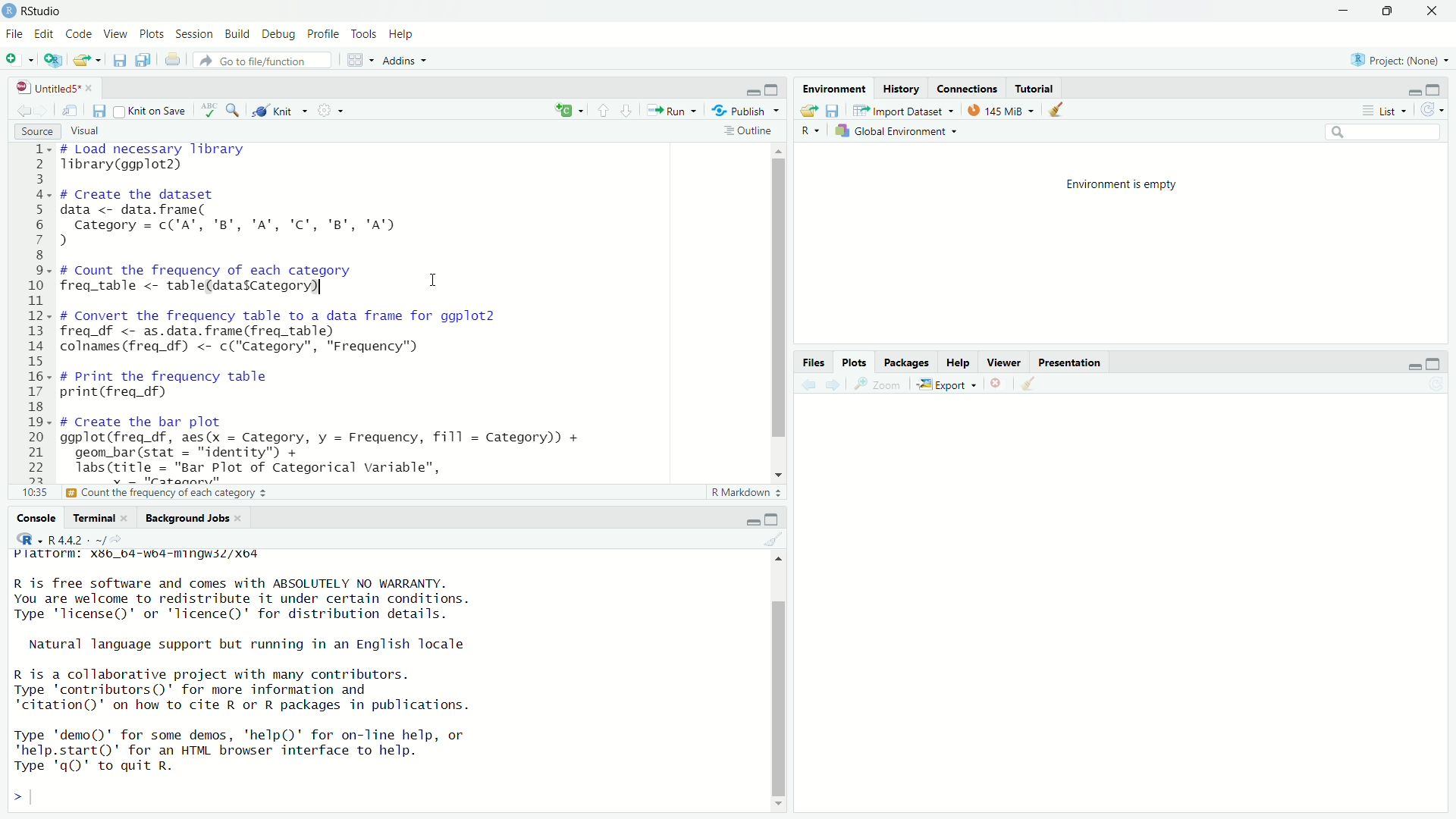 The width and height of the screenshot is (1456, 819). I want to click on new file, so click(17, 61).